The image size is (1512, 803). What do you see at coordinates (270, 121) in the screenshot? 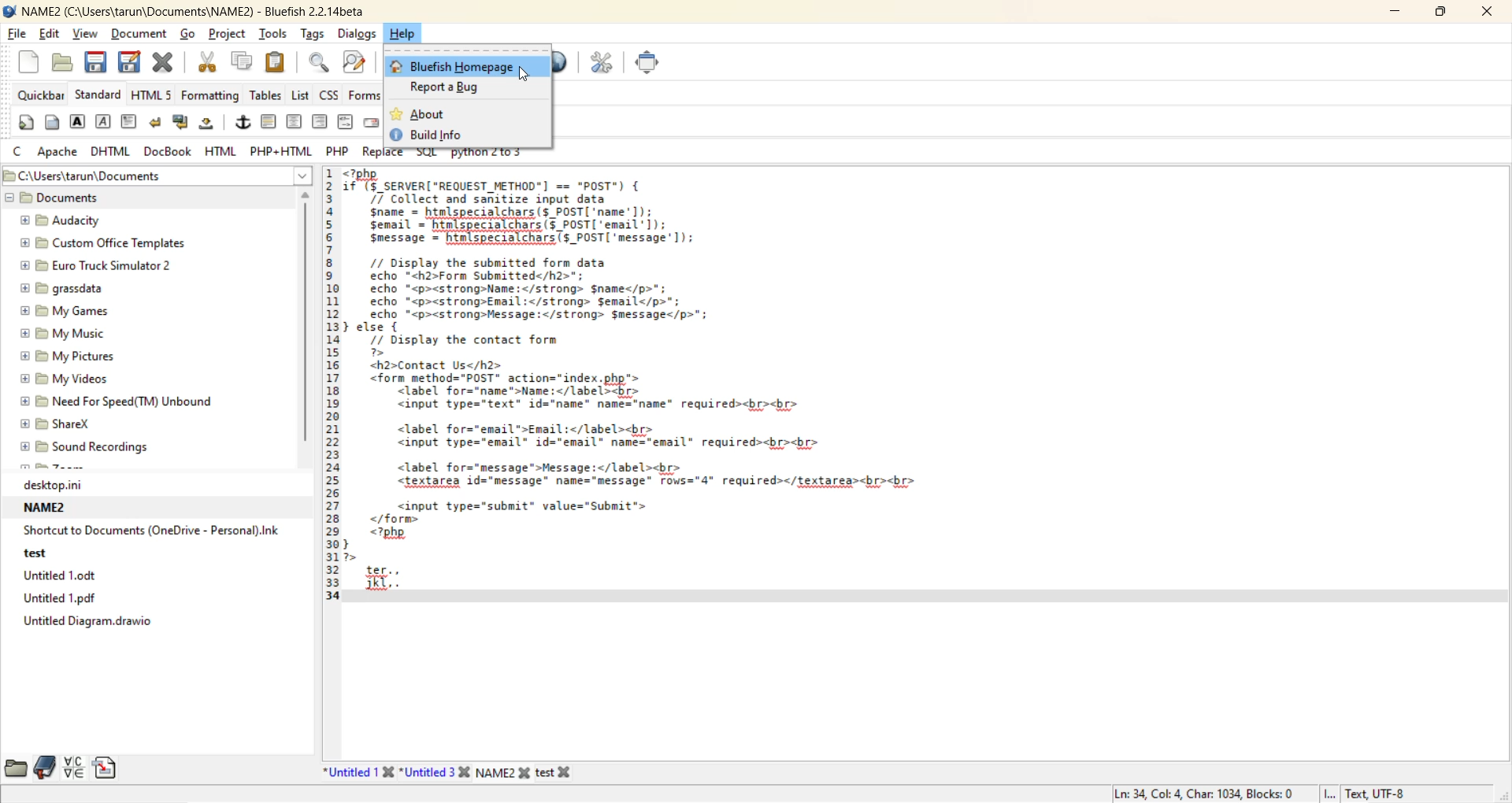
I see `horizontal rule` at bounding box center [270, 121].